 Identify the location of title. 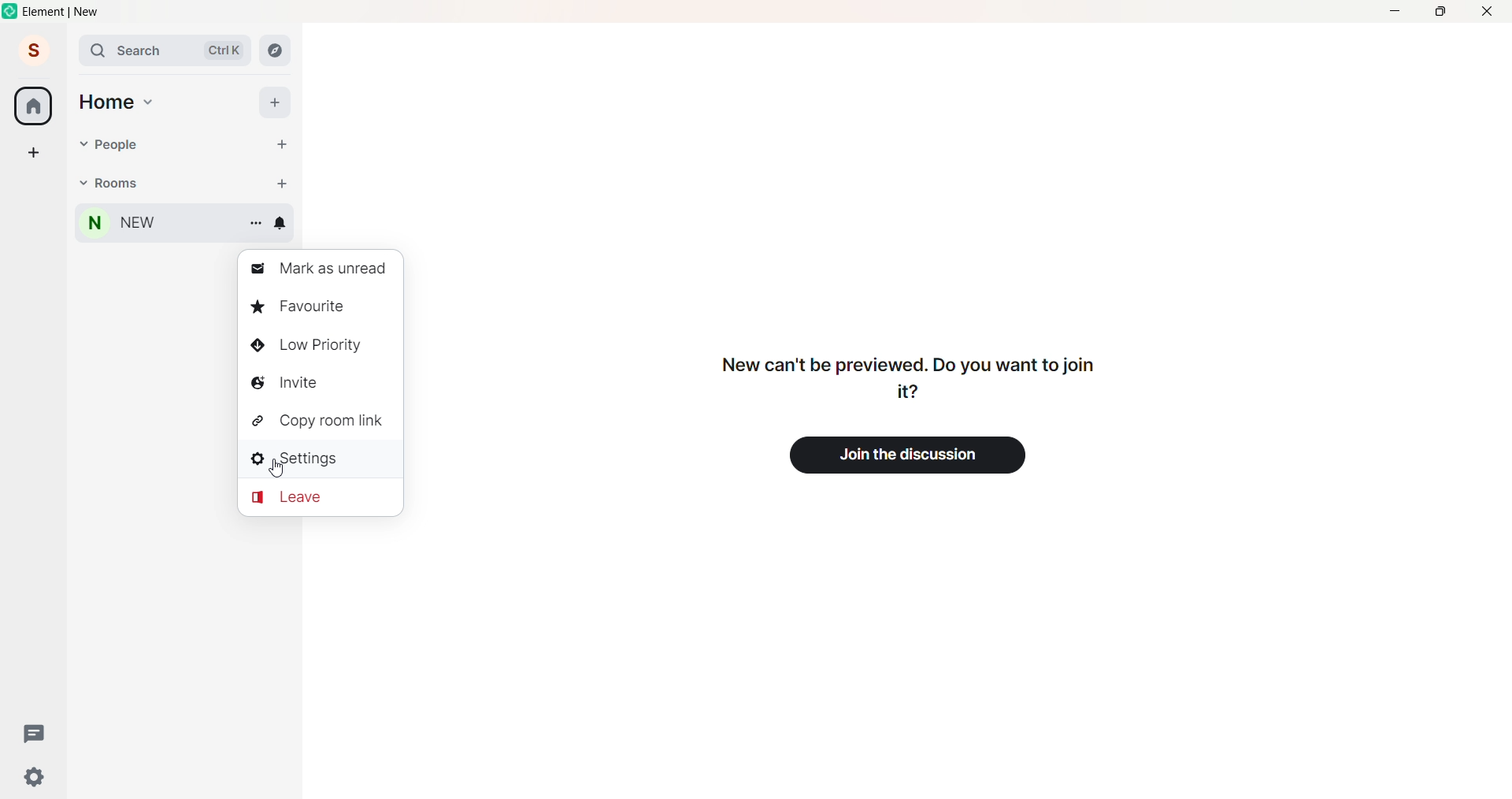
(66, 11).